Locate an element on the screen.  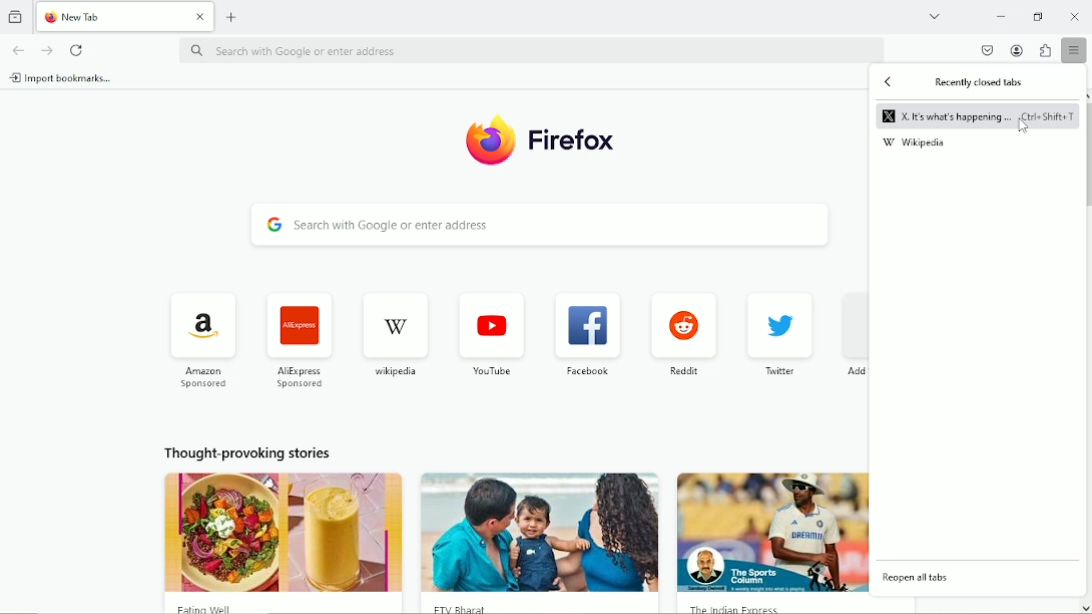
Close is located at coordinates (1076, 17).